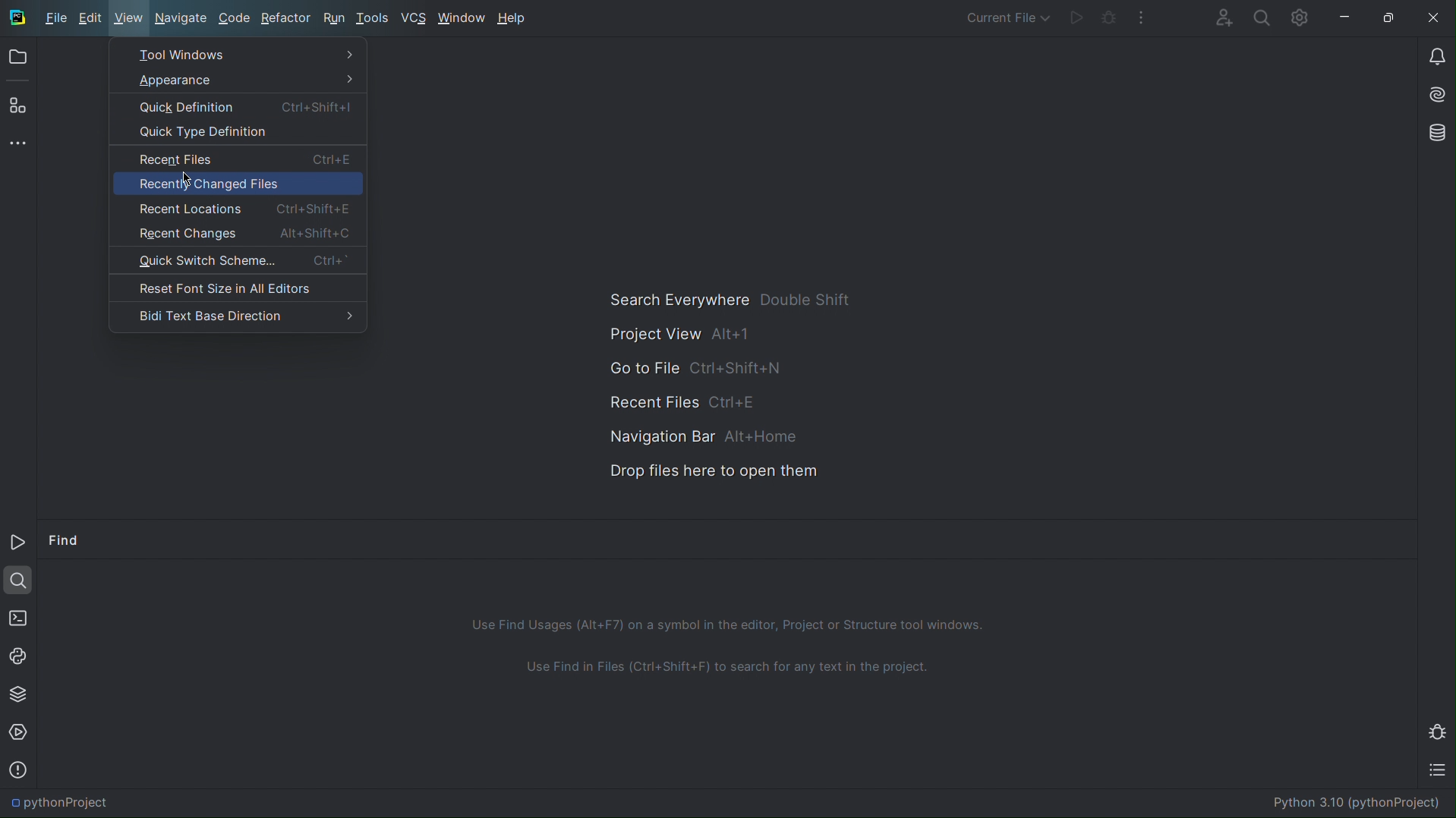 Image resolution: width=1456 pixels, height=818 pixels. I want to click on More, so click(1369, 538).